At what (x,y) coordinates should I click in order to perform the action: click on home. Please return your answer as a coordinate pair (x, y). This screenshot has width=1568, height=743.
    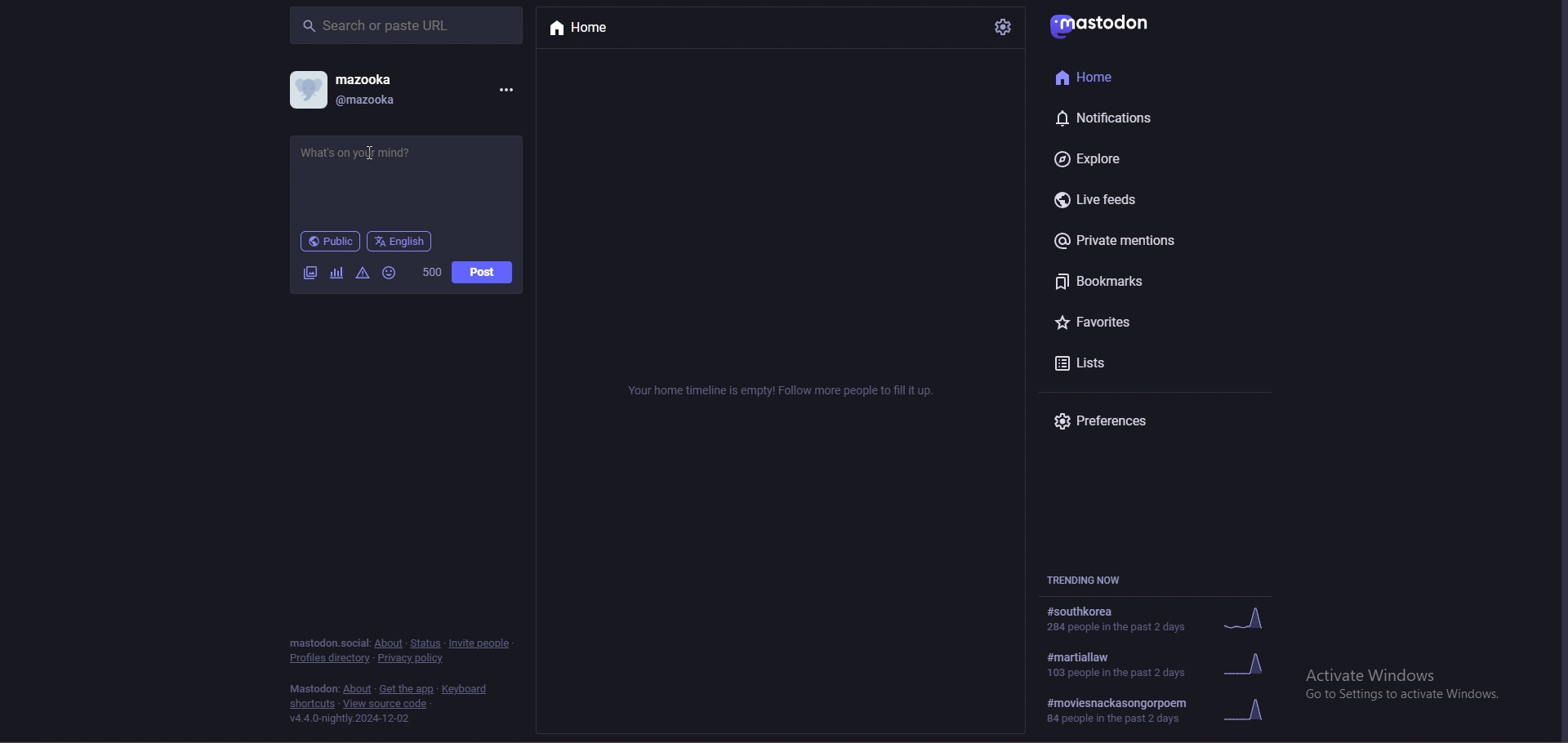
    Looking at the image, I should click on (595, 29).